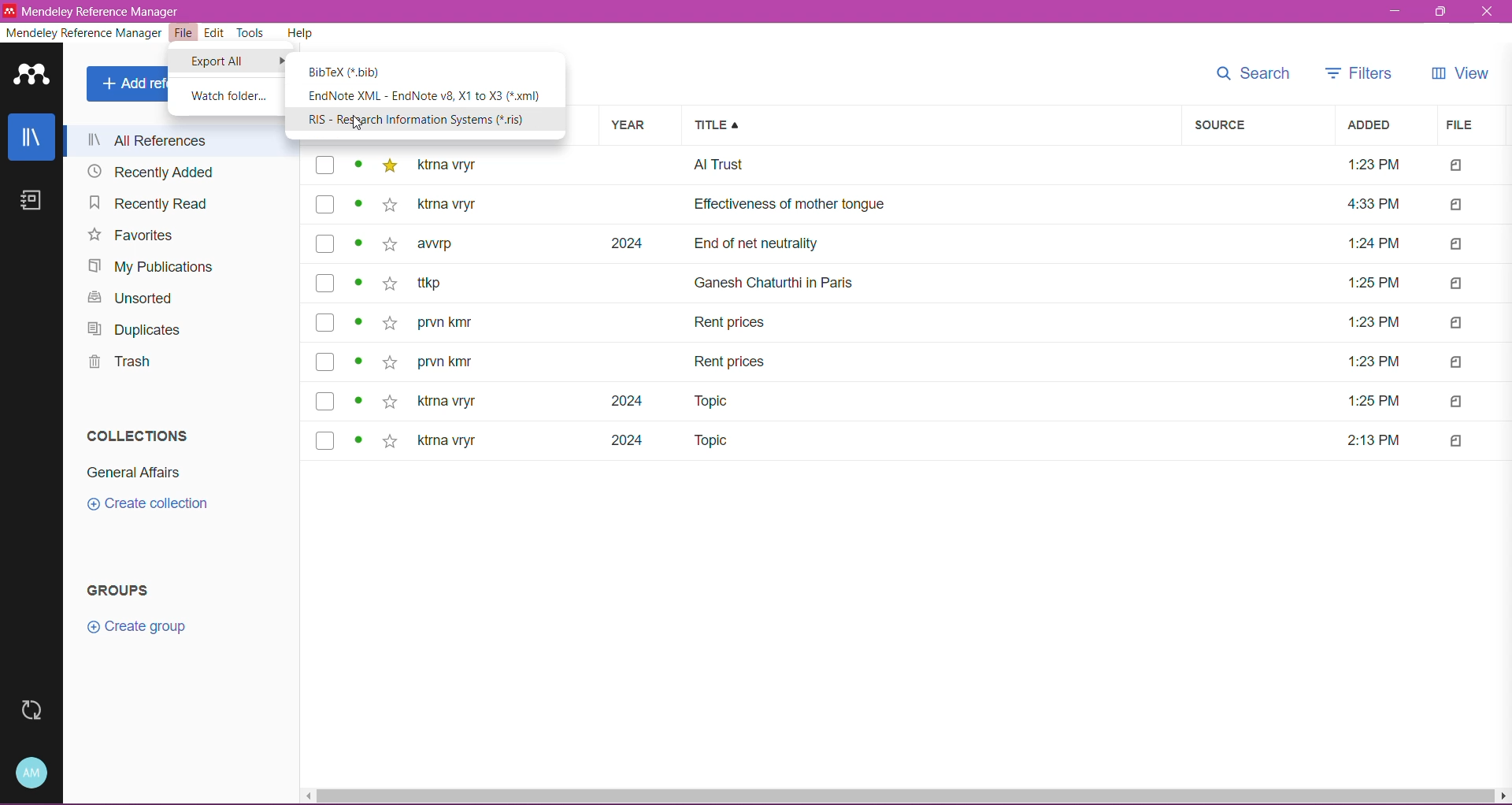 Image resolution: width=1512 pixels, height=805 pixels. I want to click on Click to view details of items, so click(360, 303).